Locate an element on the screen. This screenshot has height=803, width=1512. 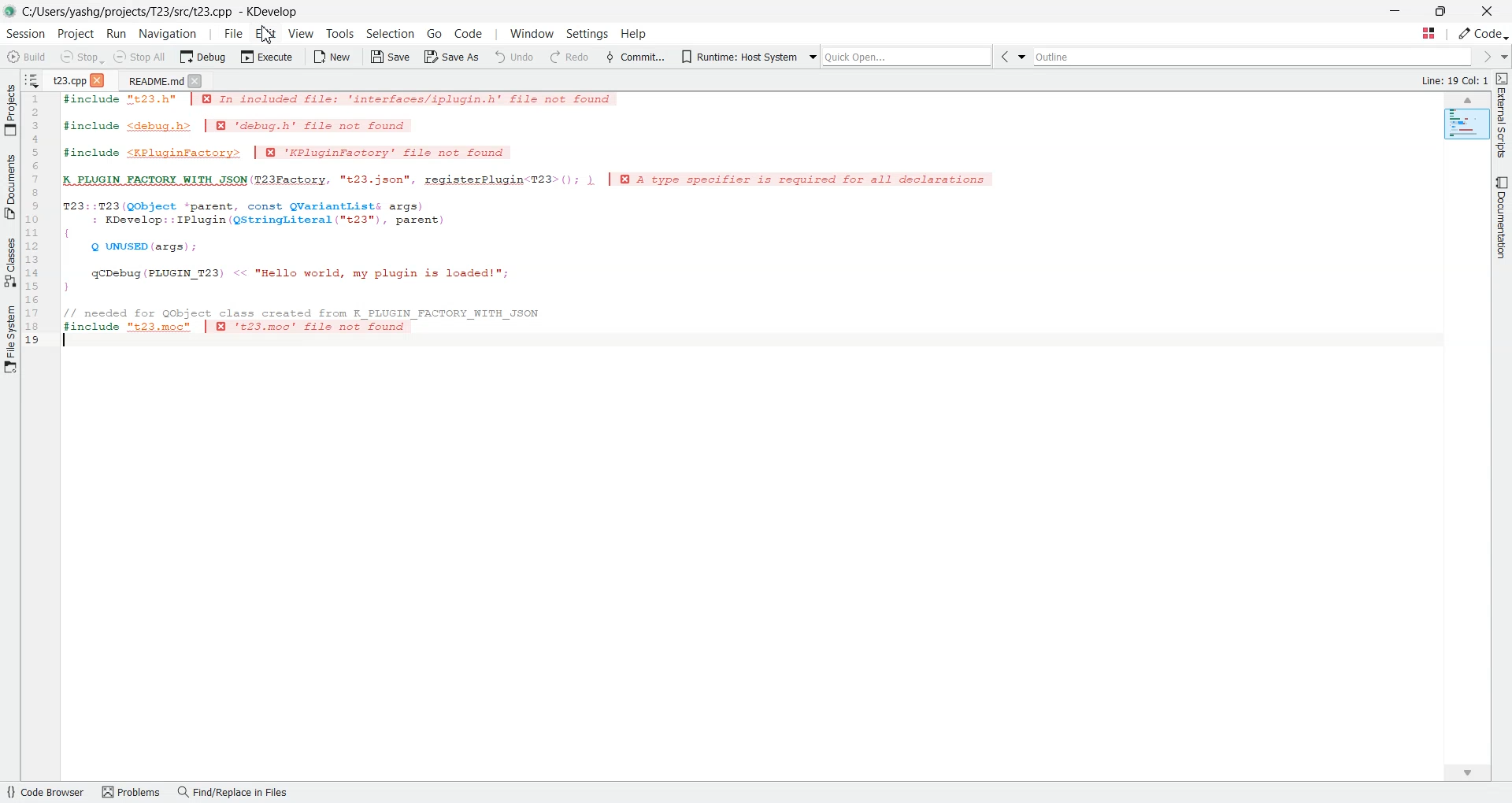
Classes is located at coordinates (10, 261).